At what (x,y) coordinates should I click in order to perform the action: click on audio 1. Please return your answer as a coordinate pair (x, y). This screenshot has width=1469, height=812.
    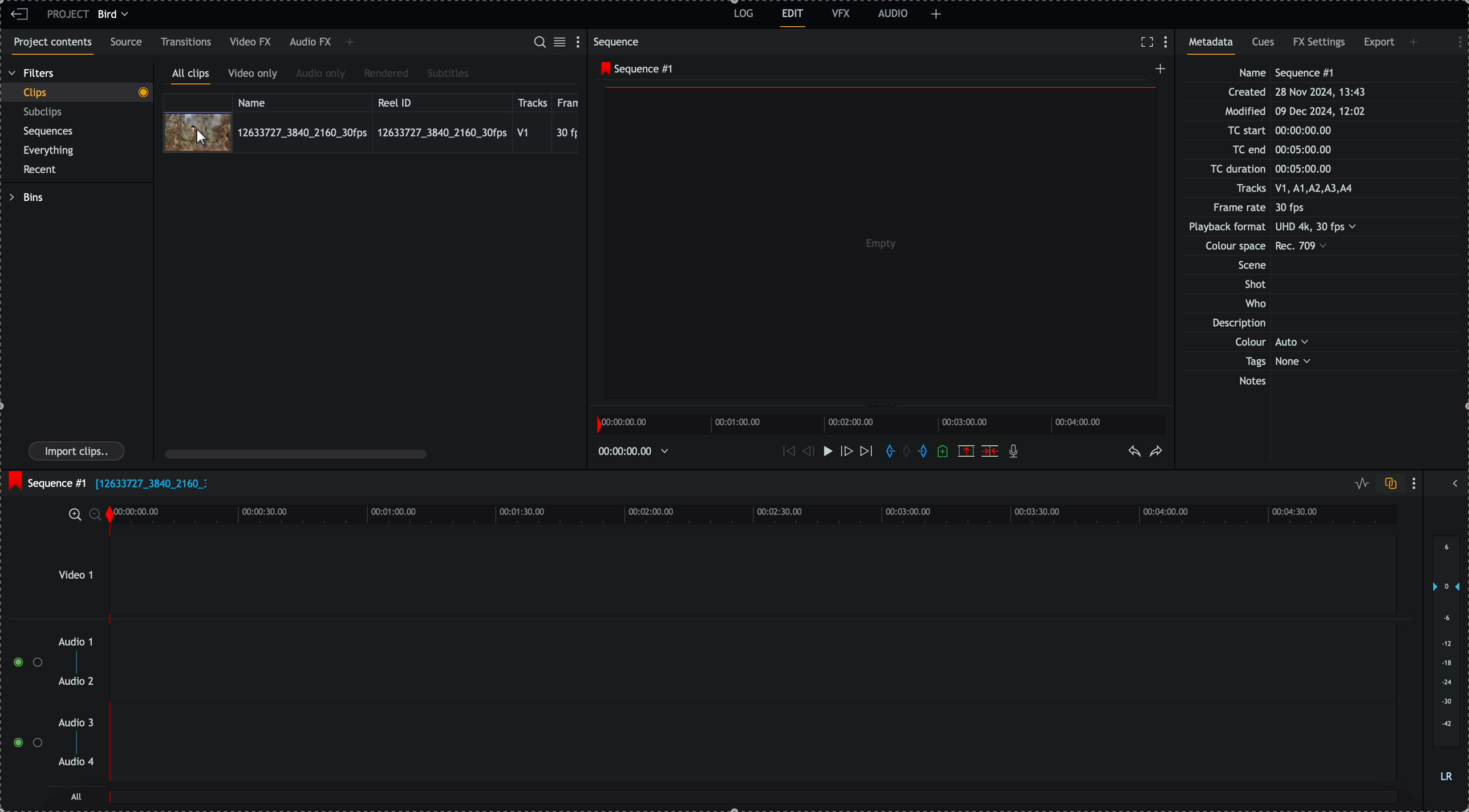
    Looking at the image, I should click on (71, 643).